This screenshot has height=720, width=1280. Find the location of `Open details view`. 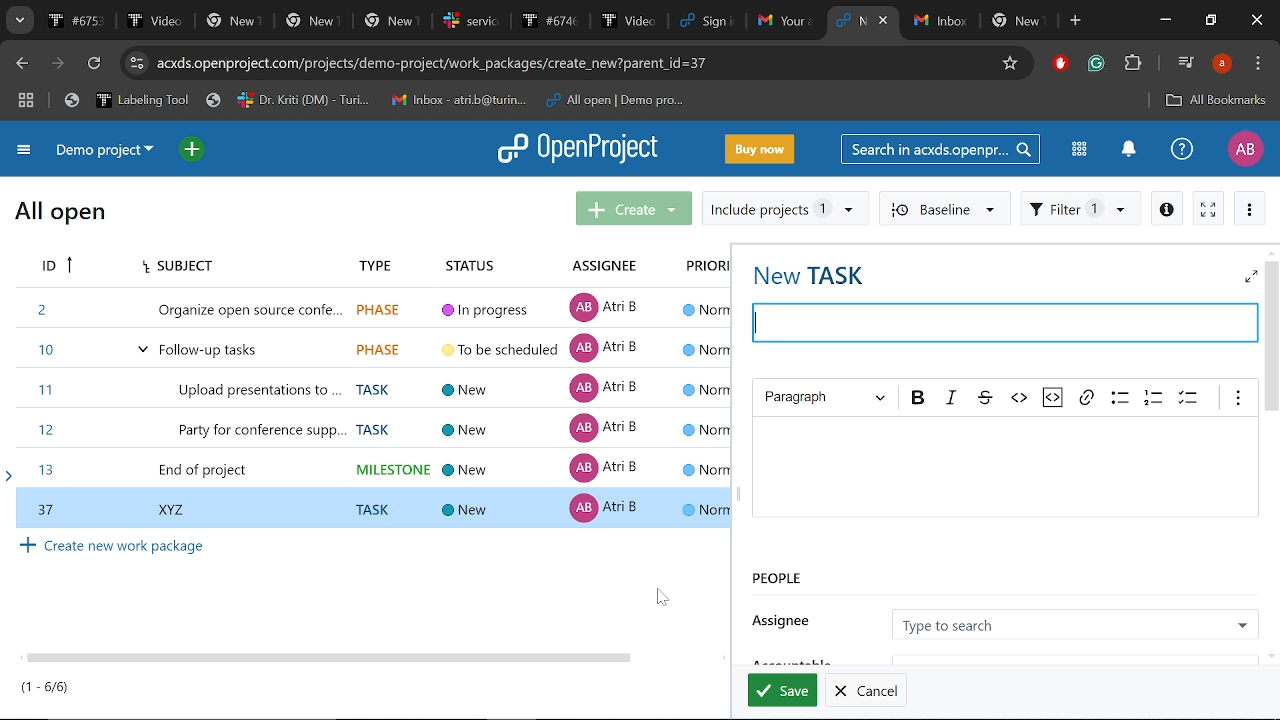

Open details view is located at coordinates (1166, 207).